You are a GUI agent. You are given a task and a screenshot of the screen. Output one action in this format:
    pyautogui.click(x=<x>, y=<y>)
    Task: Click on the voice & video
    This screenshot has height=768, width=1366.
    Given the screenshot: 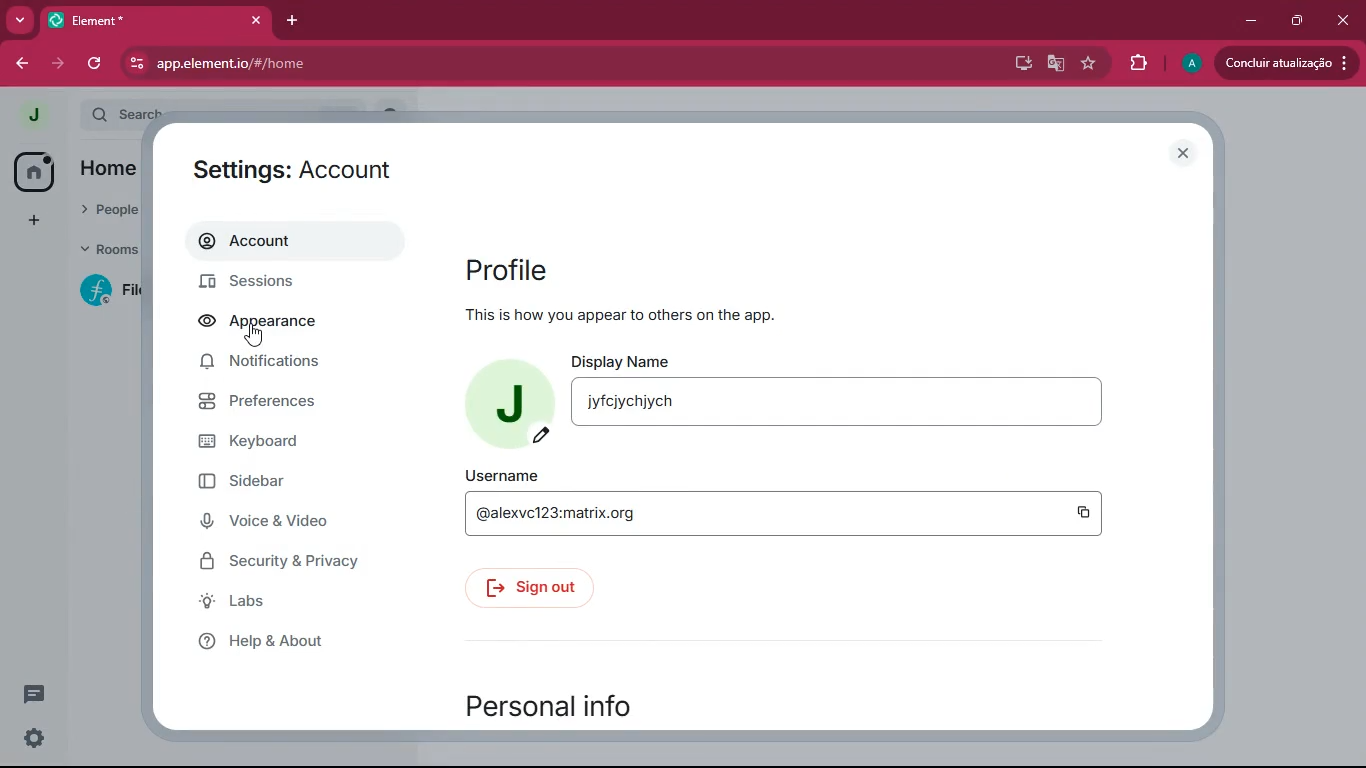 What is the action you would take?
    pyautogui.click(x=290, y=523)
    